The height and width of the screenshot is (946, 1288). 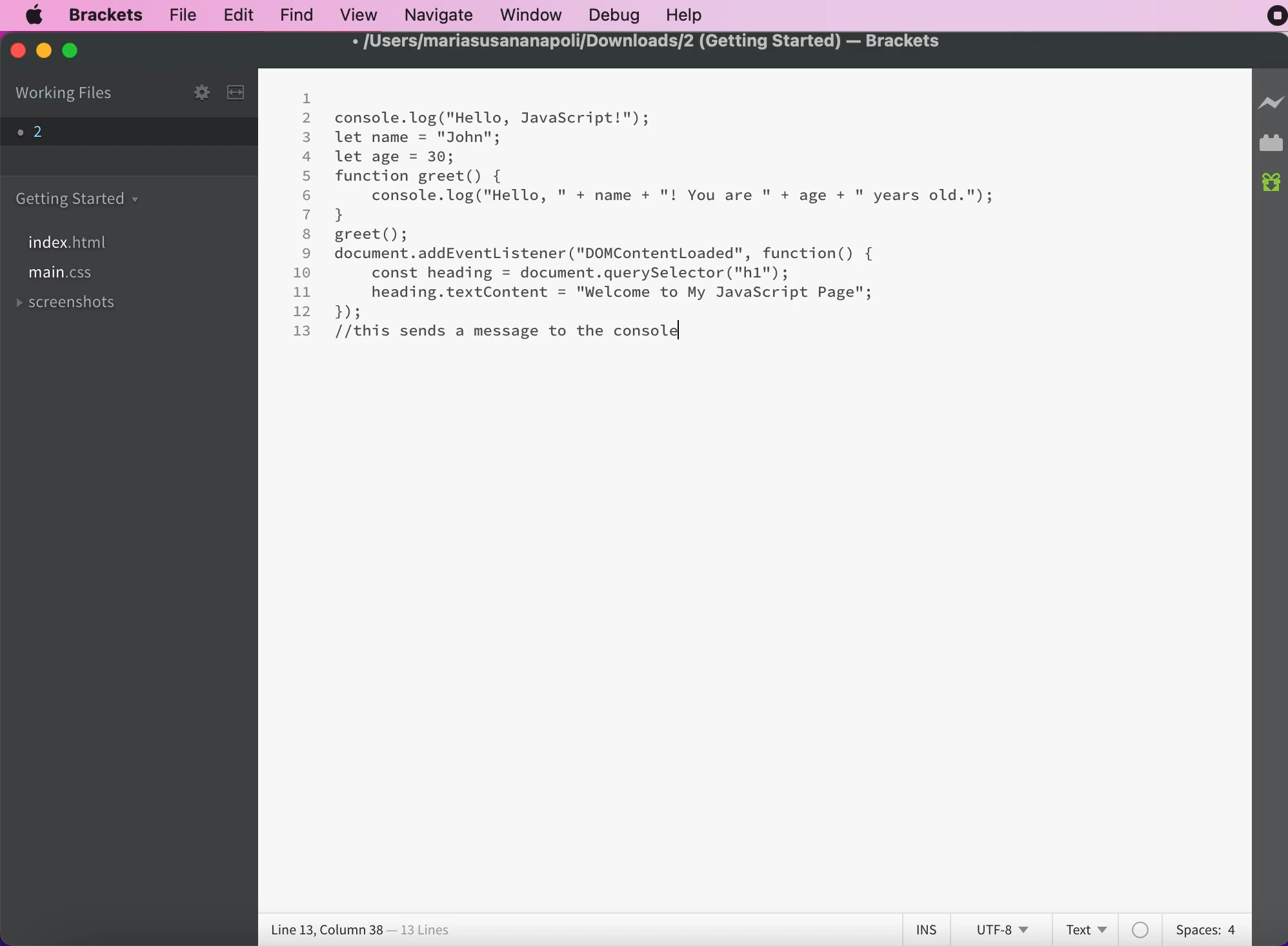 What do you see at coordinates (88, 303) in the screenshot?
I see `screenshots` at bounding box center [88, 303].